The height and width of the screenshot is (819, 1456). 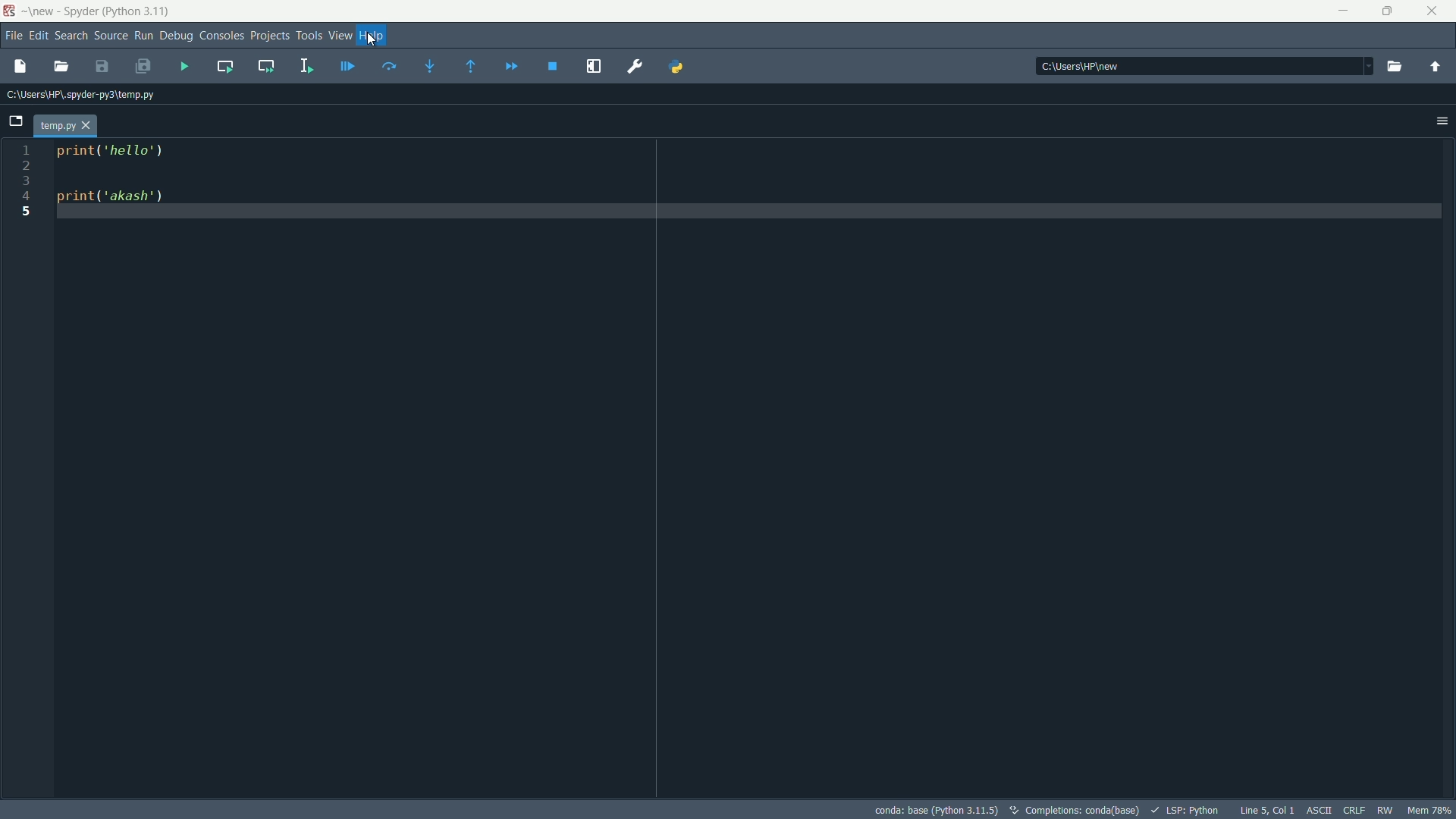 What do you see at coordinates (635, 66) in the screenshot?
I see `preferences` at bounding box center [635, 66].